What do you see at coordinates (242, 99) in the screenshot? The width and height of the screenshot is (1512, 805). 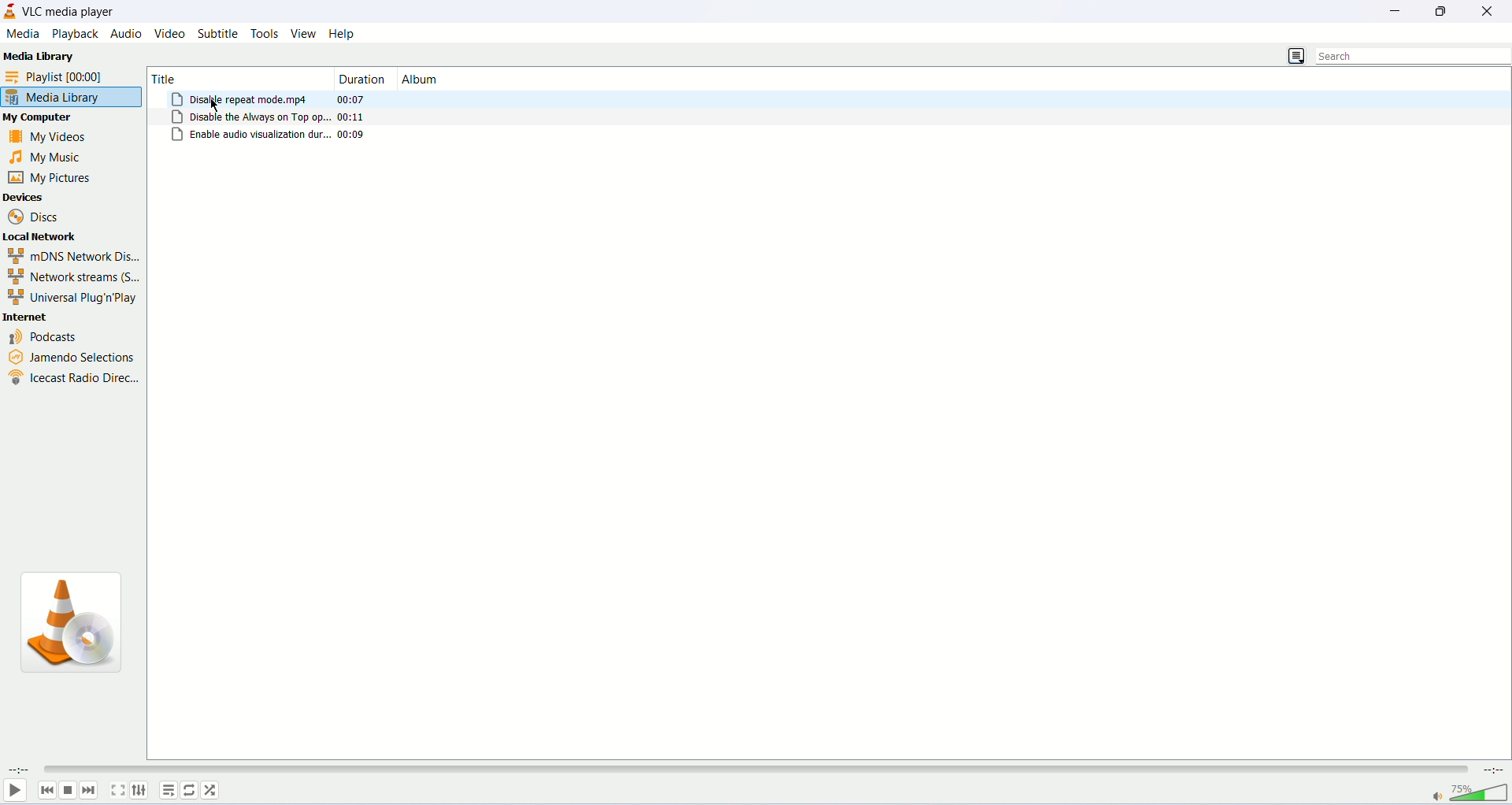 I see `Disable repeat mode.mp4` at bounding box center [242, 99].